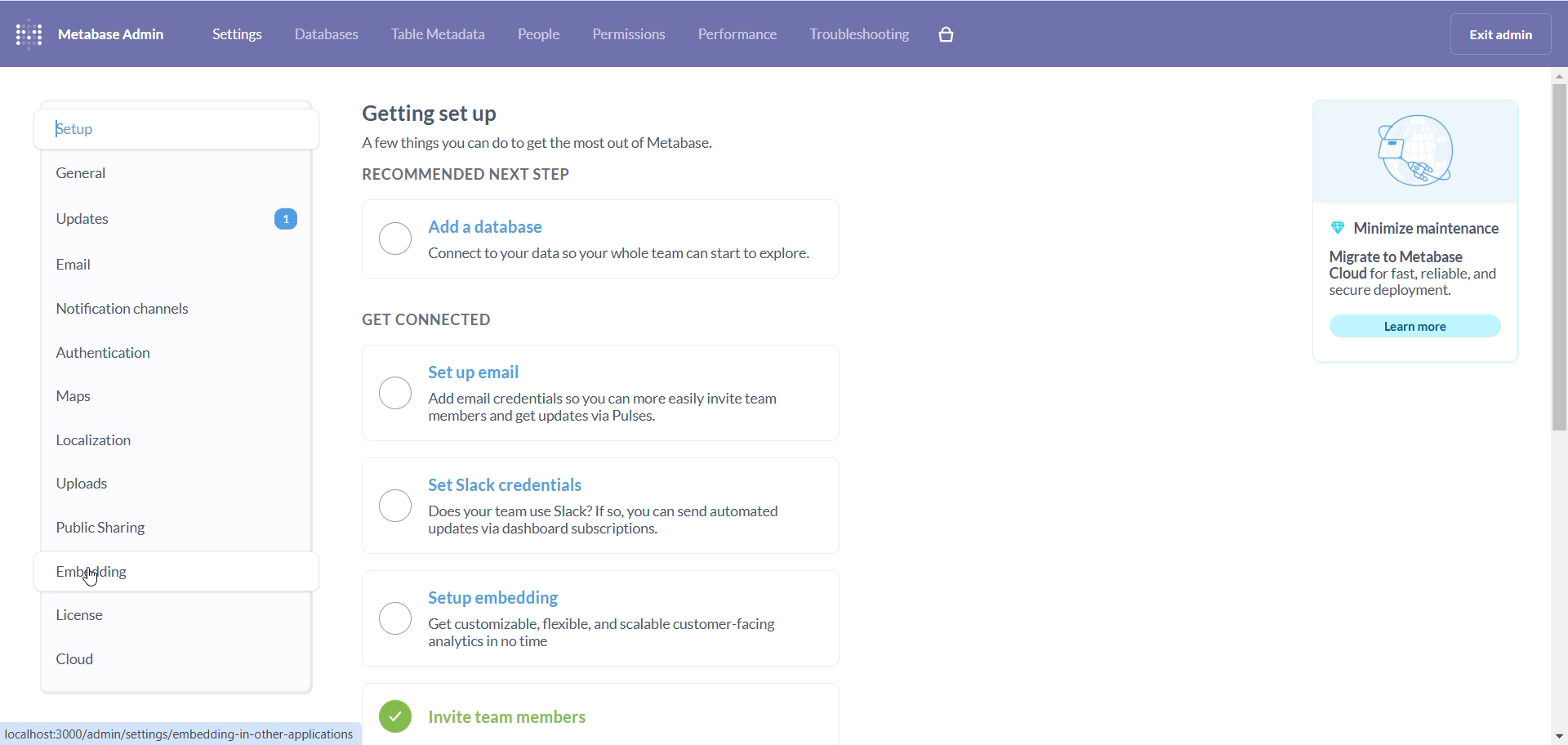 The image size is (1568, 745). What do you see at coordinates (140, 444) in the screenshot?
I see `localization` at bounding box center [140, 444].